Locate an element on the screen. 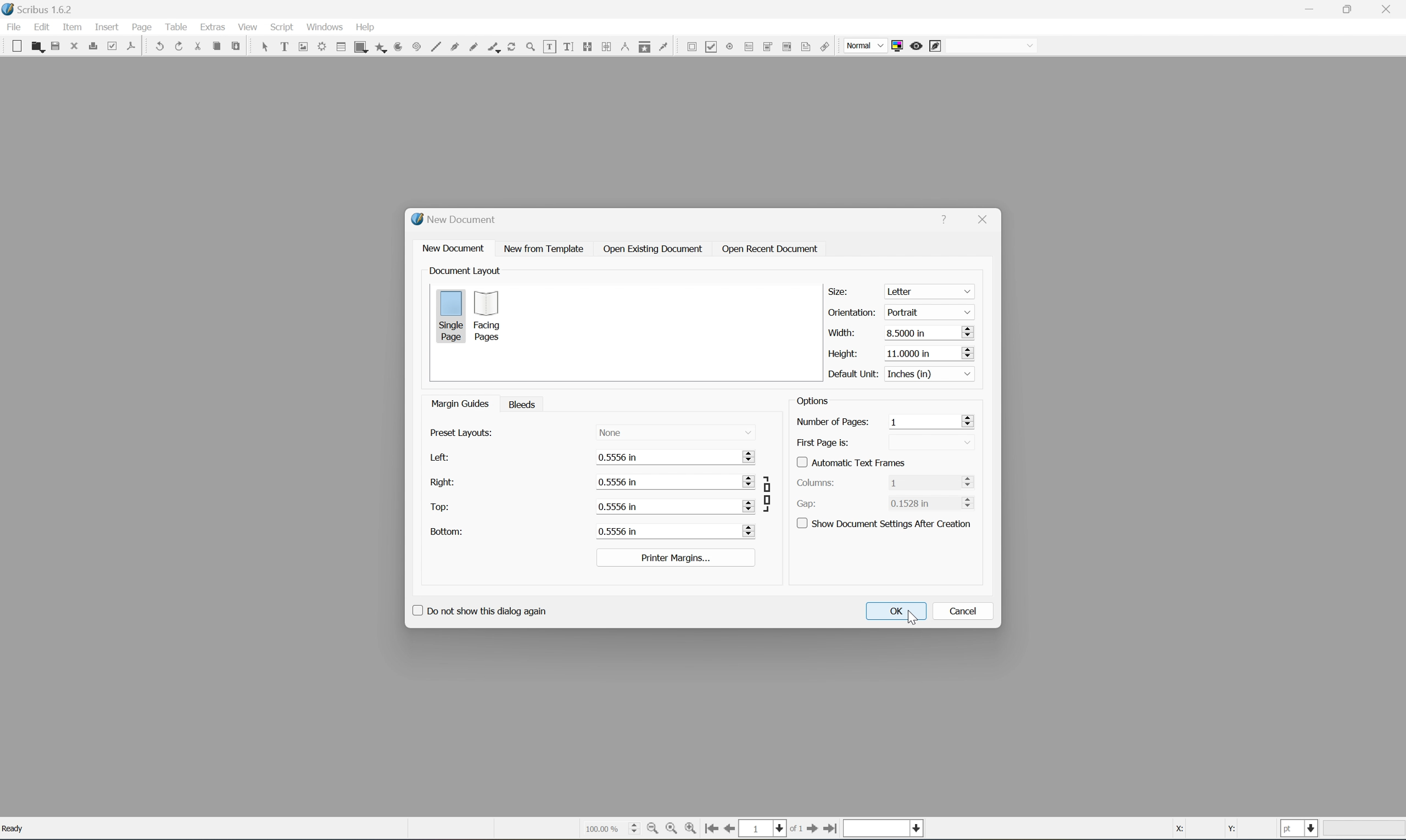 This screenshot has height=840, width=1406. rotate item is located at coordinates (512, 46).